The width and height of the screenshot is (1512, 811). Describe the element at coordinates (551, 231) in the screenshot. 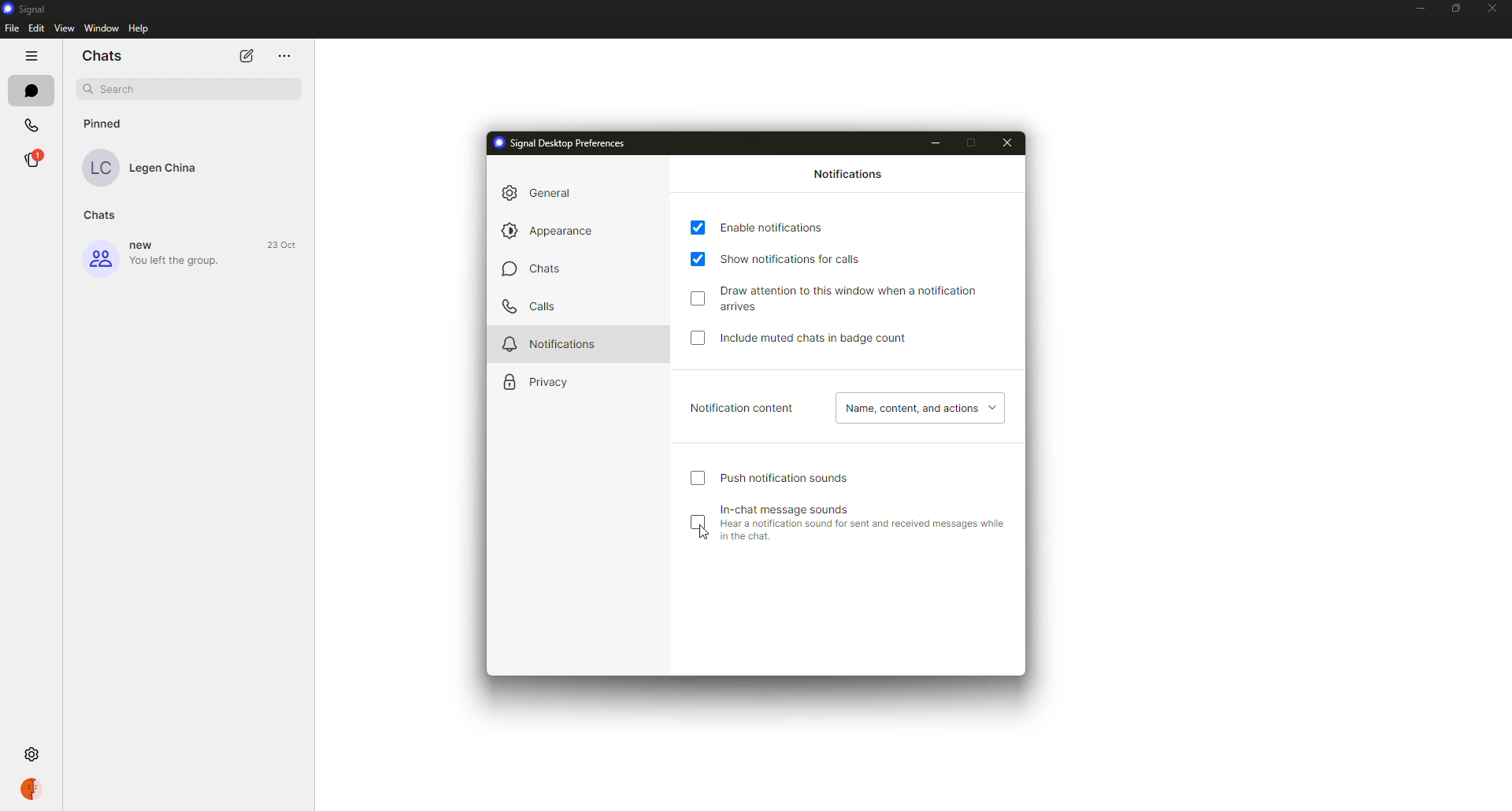

I see `appearance` at that location.